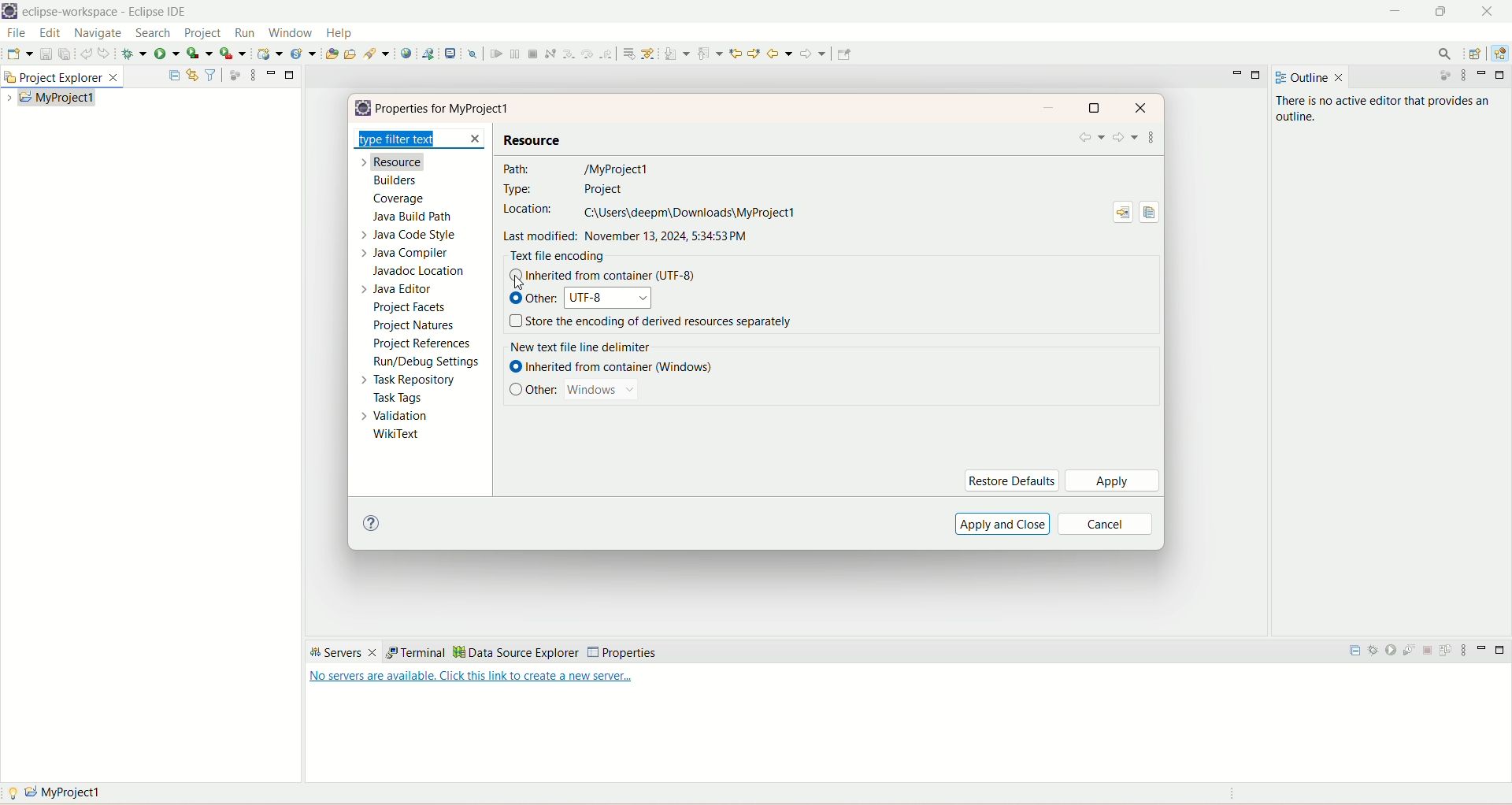  Describe the element at coordinates (1125, 139) in the screenshot. I see `forward` at that location.